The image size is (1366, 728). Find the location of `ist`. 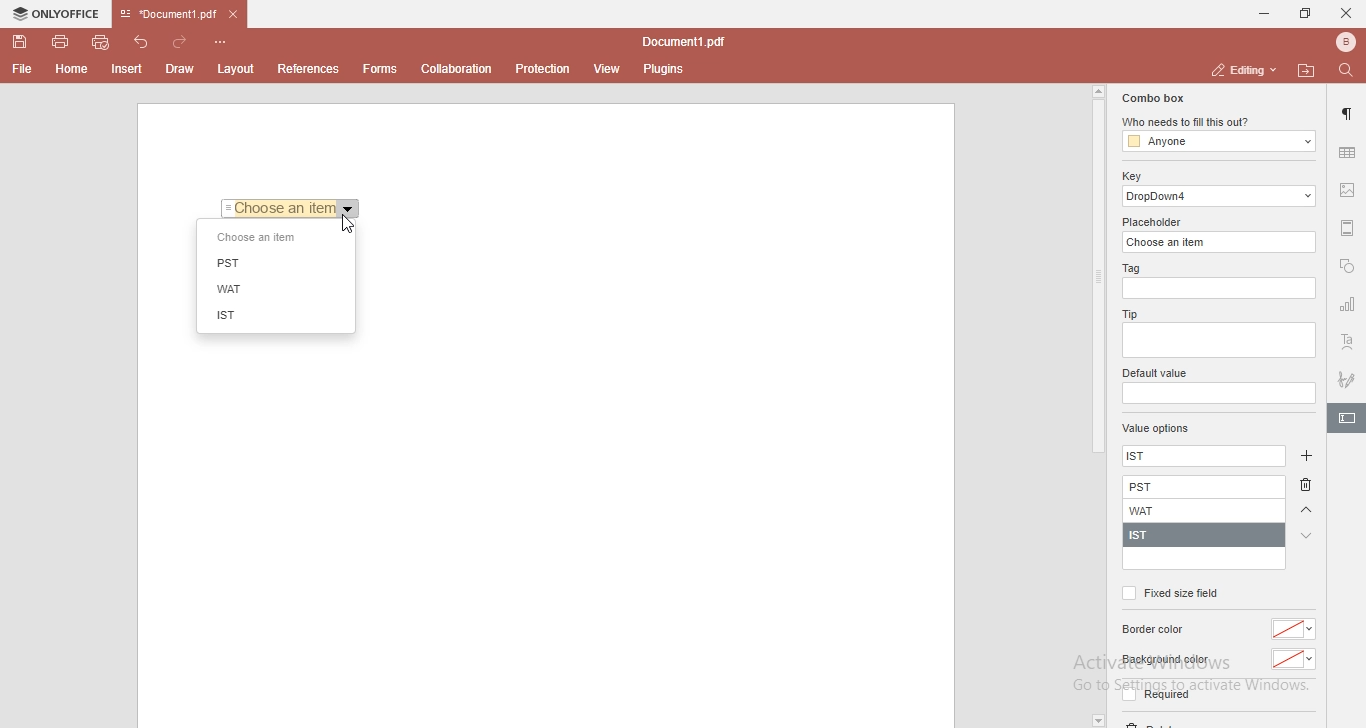

ist is located at coordinates (1147, 454).